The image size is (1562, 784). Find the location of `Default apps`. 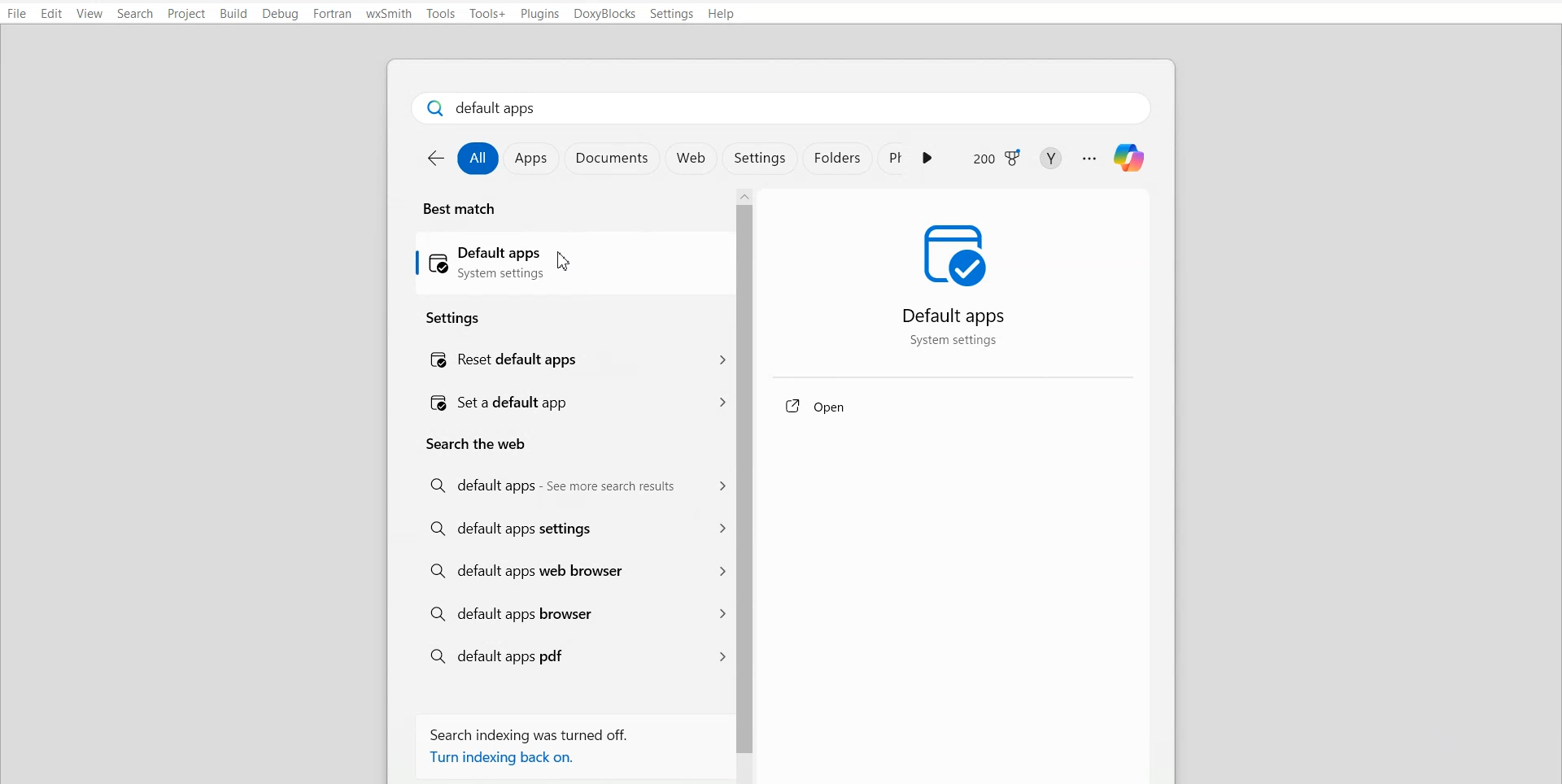

Default apps is located at coordinates (565, 264).